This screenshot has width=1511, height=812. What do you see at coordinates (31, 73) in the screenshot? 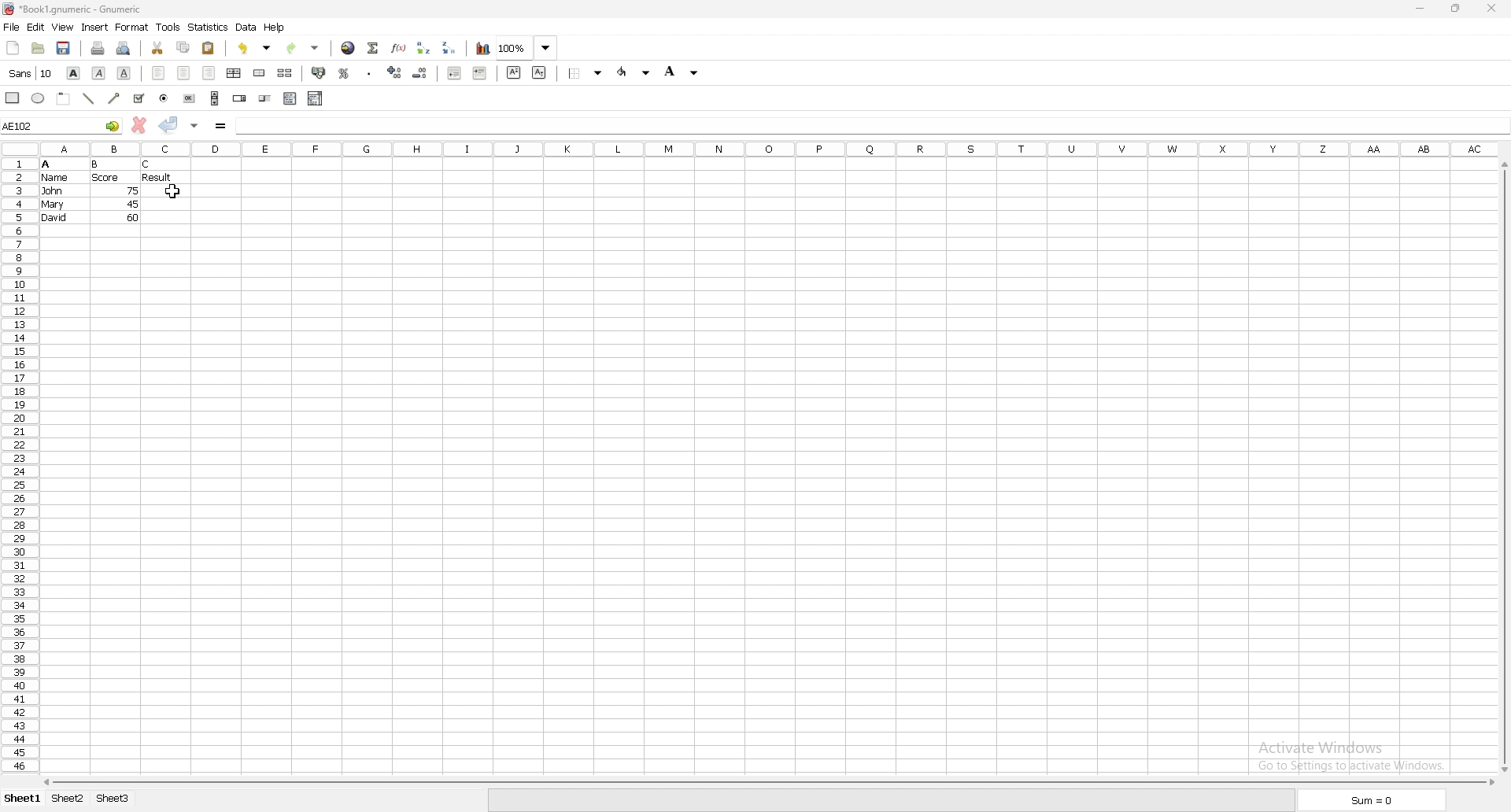
I see `font` at bounding box center [31, 73].